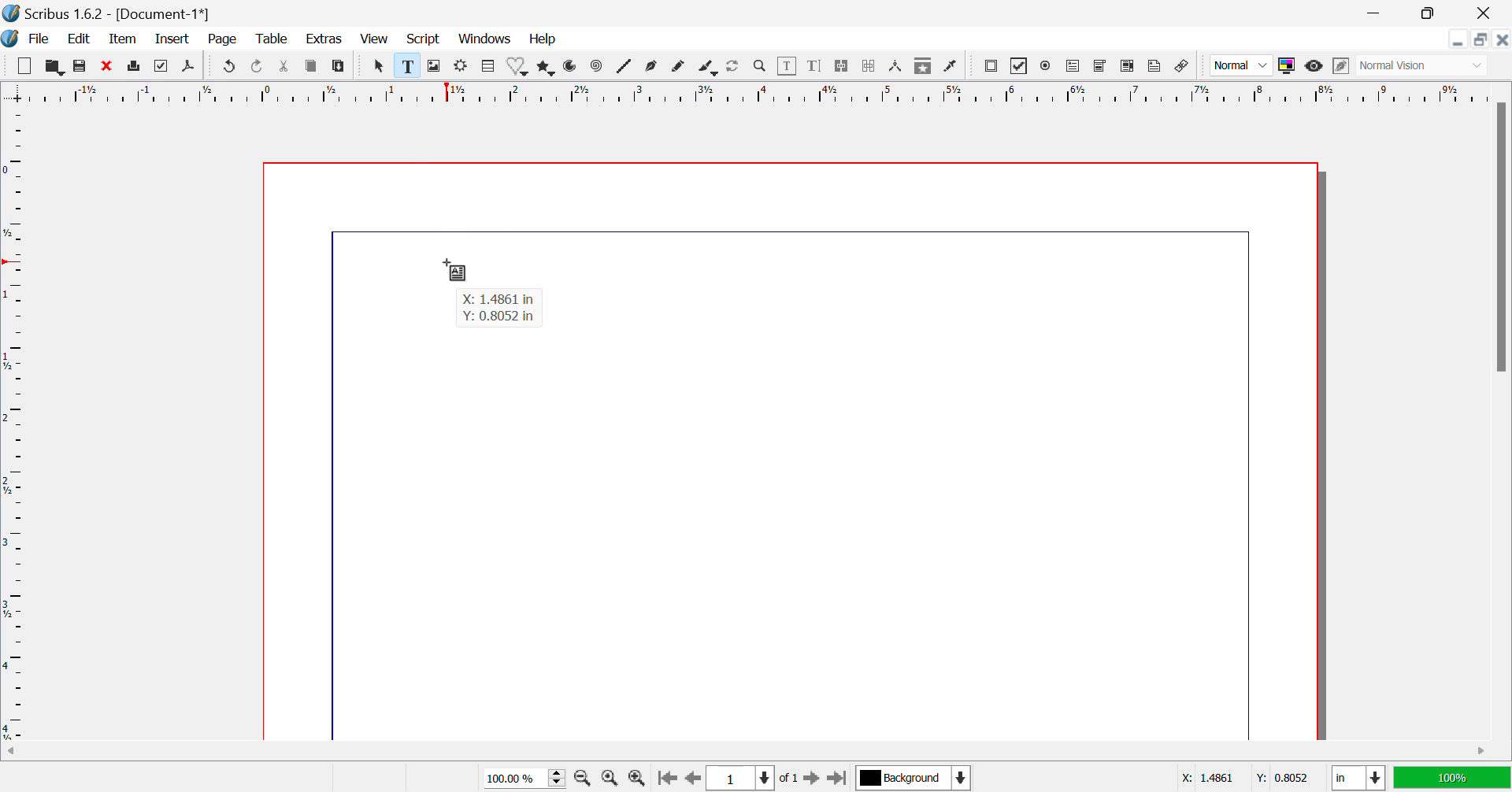 The image size is (1512, 792). What do you see at coordinates (488, 67) in the screenshot?
I see `Table` at bounding box center [488, 67].